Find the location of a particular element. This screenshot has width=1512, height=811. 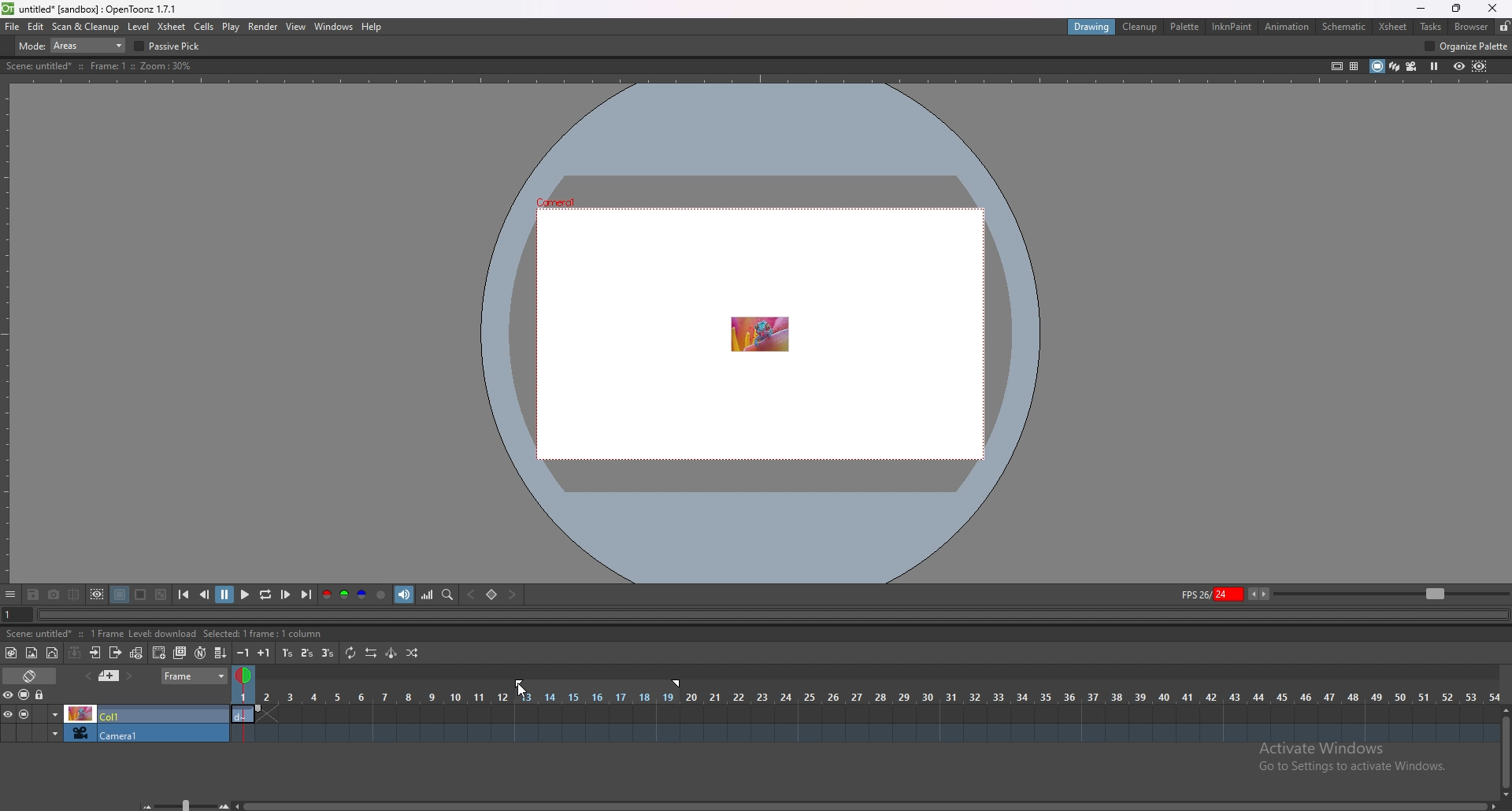

reverse is located at coordinates (372, 653).